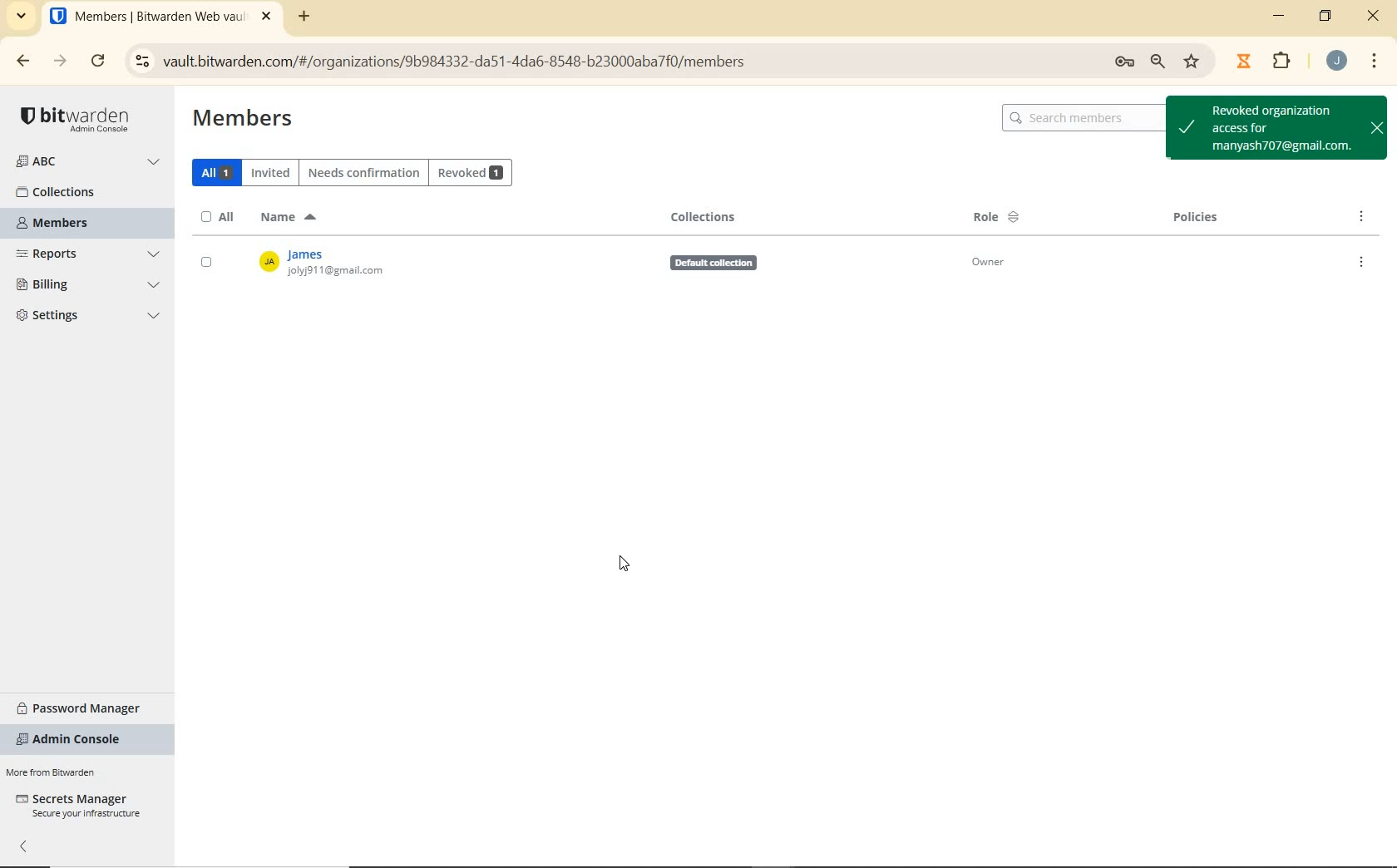 This screenshot has width=1397, height=868. Describe the element at coordinates (1374, 16) in the screenshot. I see `CLOSE` at that location.